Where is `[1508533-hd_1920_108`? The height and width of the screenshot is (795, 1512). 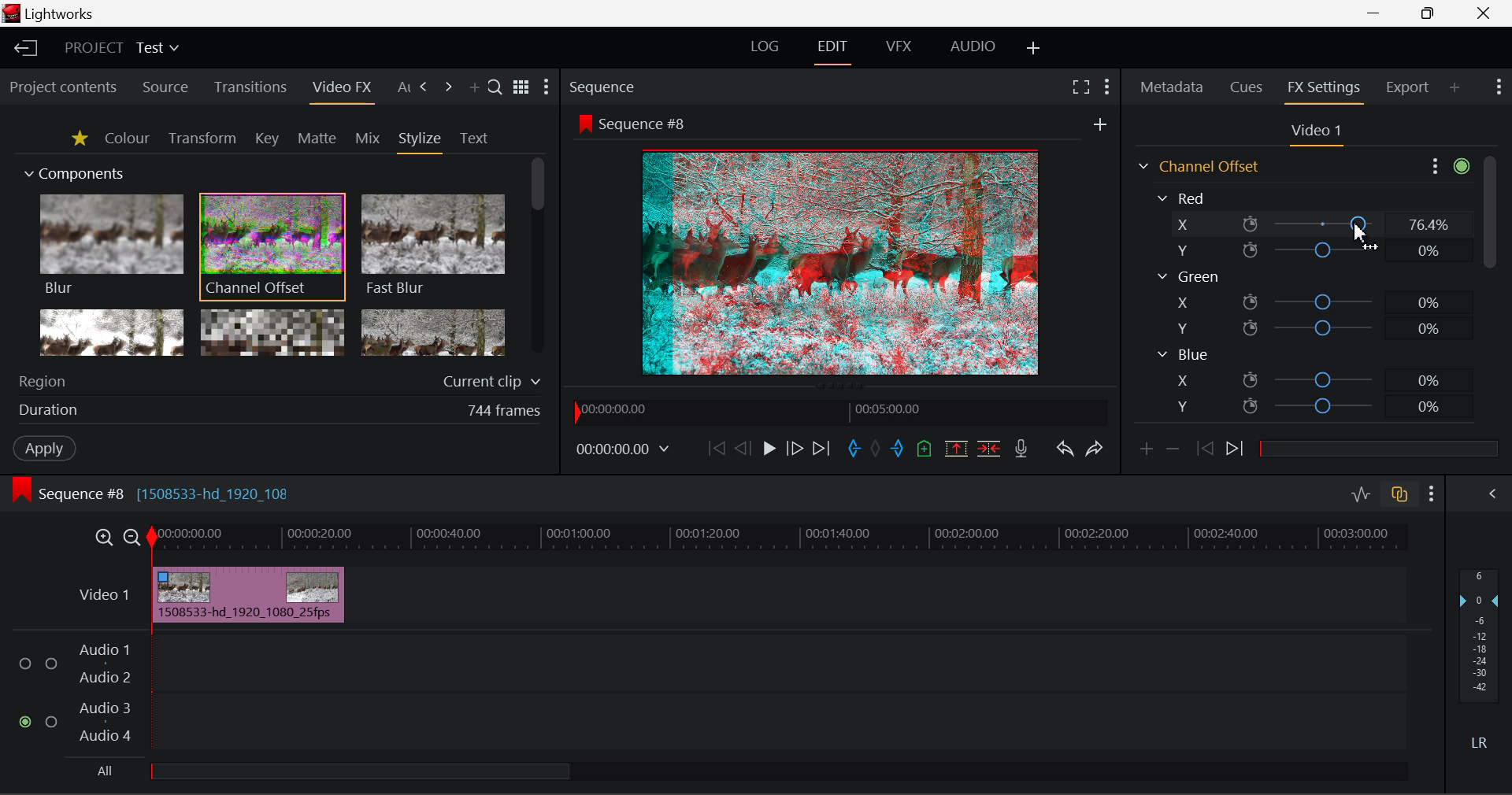
[1508533-hd_1920_108 is located at coordinates (219, 492).